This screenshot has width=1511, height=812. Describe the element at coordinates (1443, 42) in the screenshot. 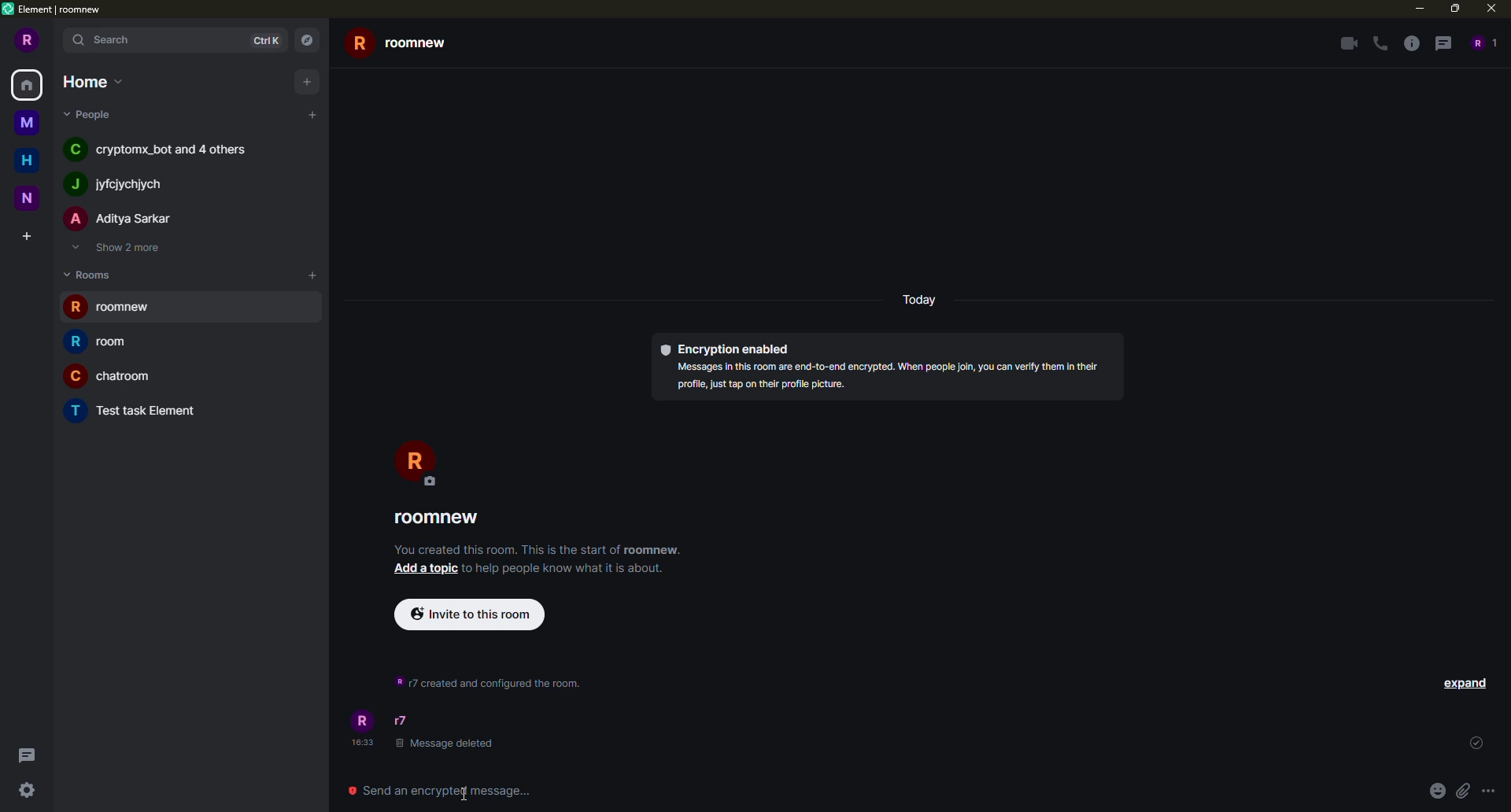

I see `threads` at that location.